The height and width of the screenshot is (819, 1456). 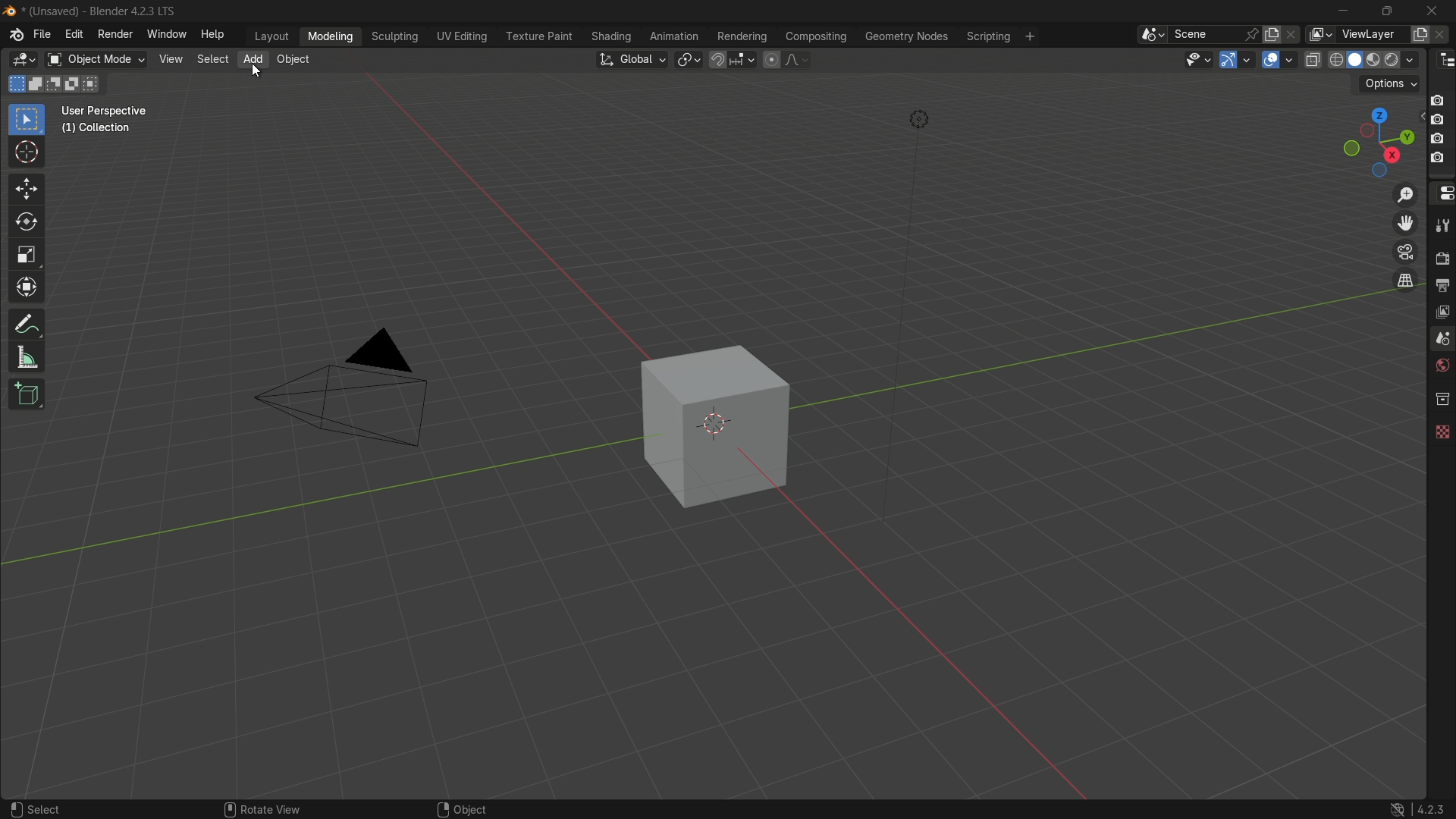 What do you see at coordinates (14, 34) in the screenshot?
I see `logo` at bounding box center [14, 34].